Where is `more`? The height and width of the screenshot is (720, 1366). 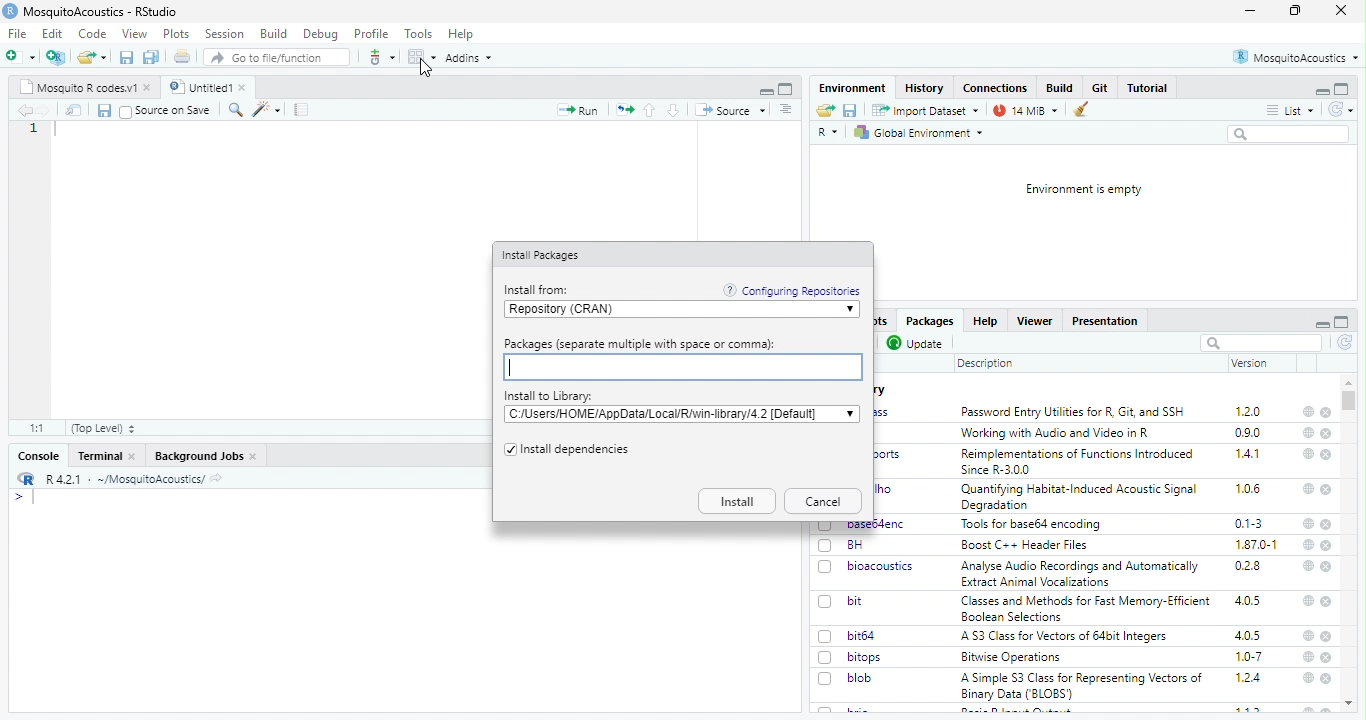
more is located at coordinates (787, 110).